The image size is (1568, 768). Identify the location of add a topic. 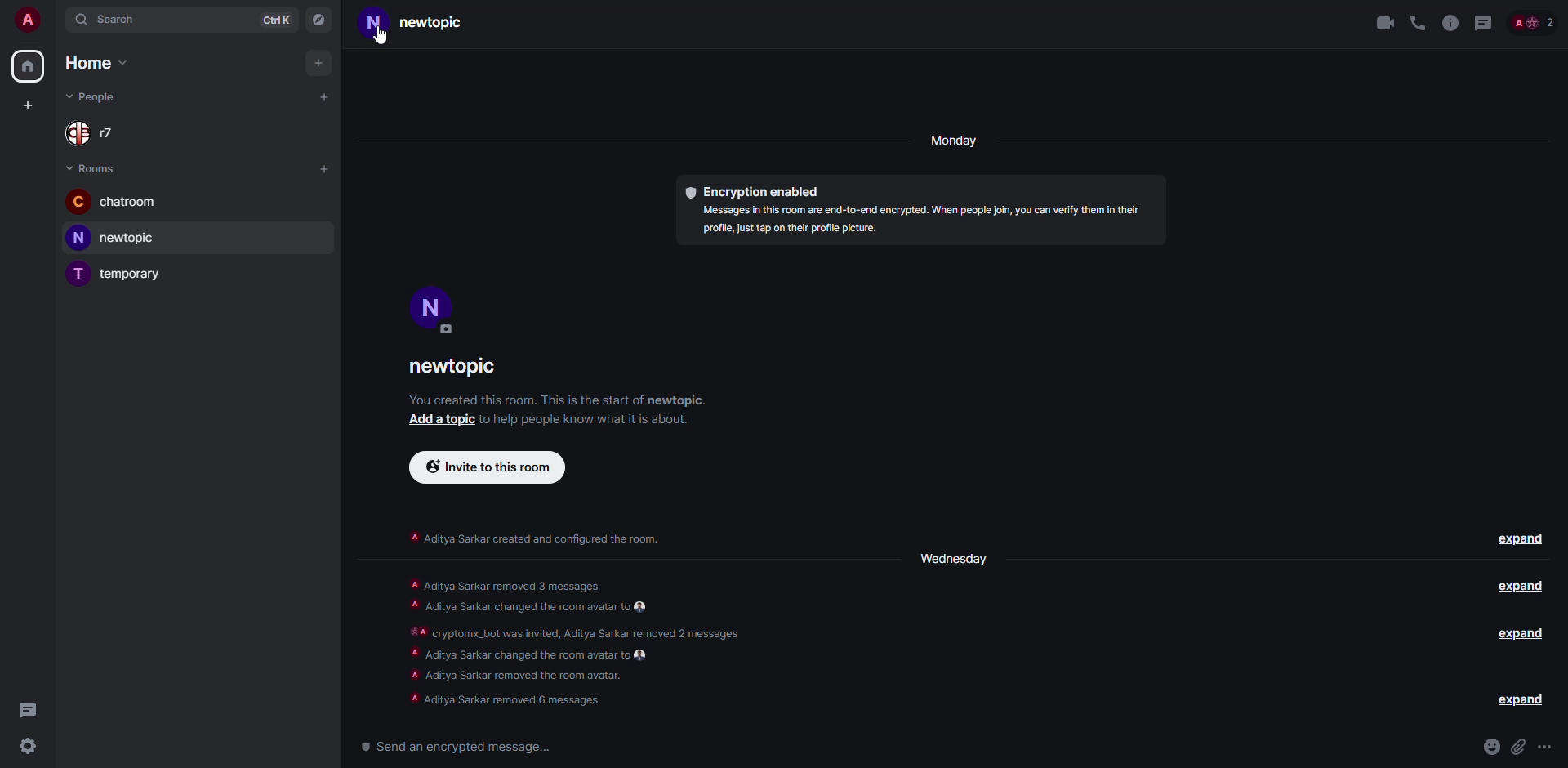
(438, 421).